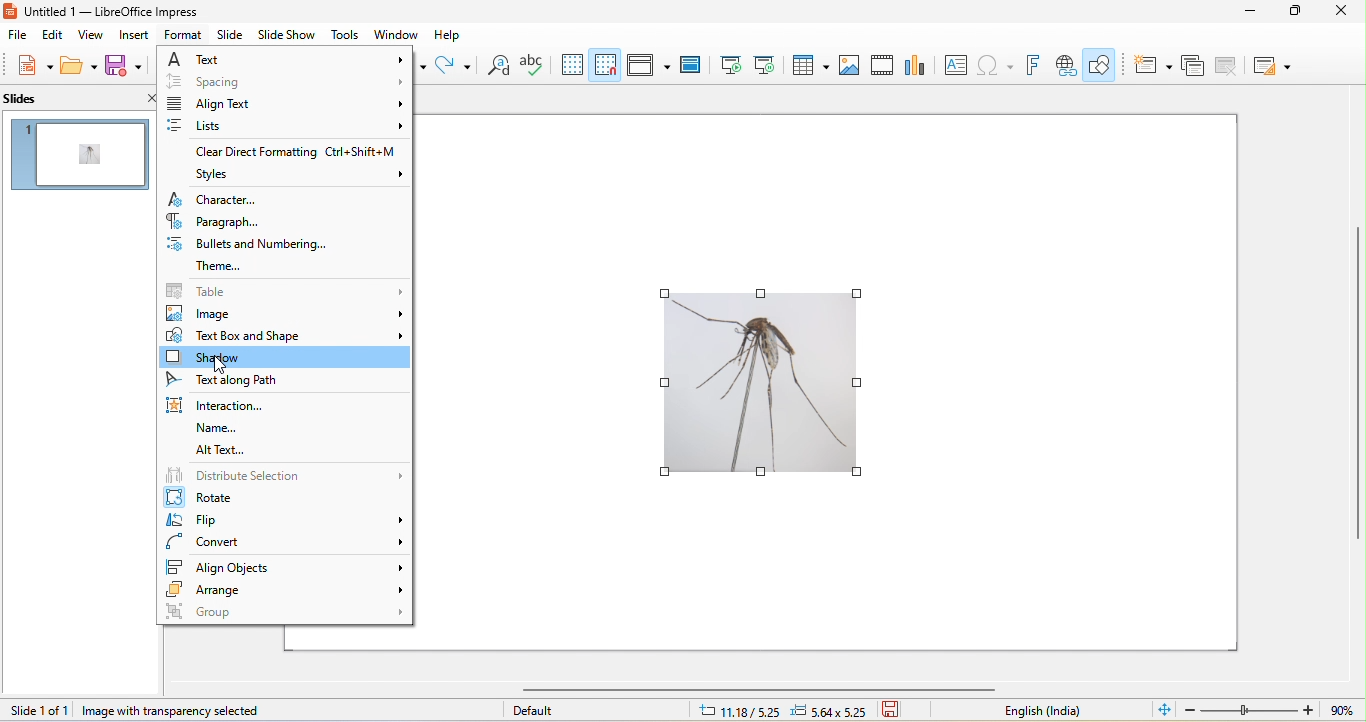  What do you see at coordinates (172, 711) in the screenshot?
I see `image with transparency selected` at bounding box center [172, 711].